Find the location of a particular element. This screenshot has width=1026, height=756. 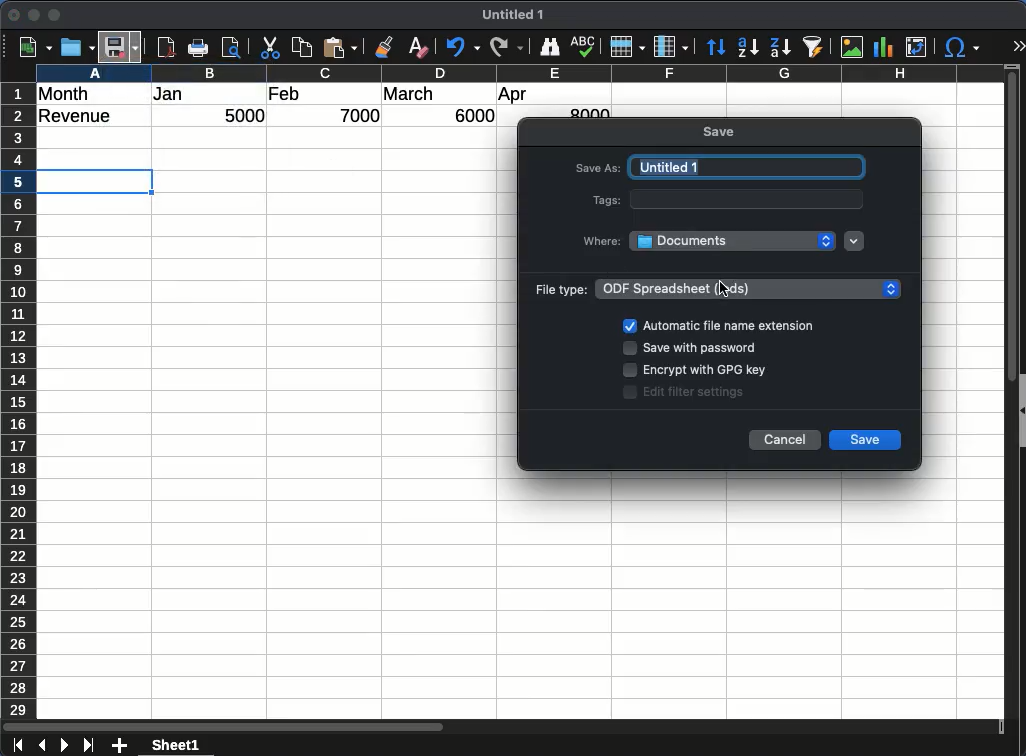

6000 is located at coordinates (469, 116).